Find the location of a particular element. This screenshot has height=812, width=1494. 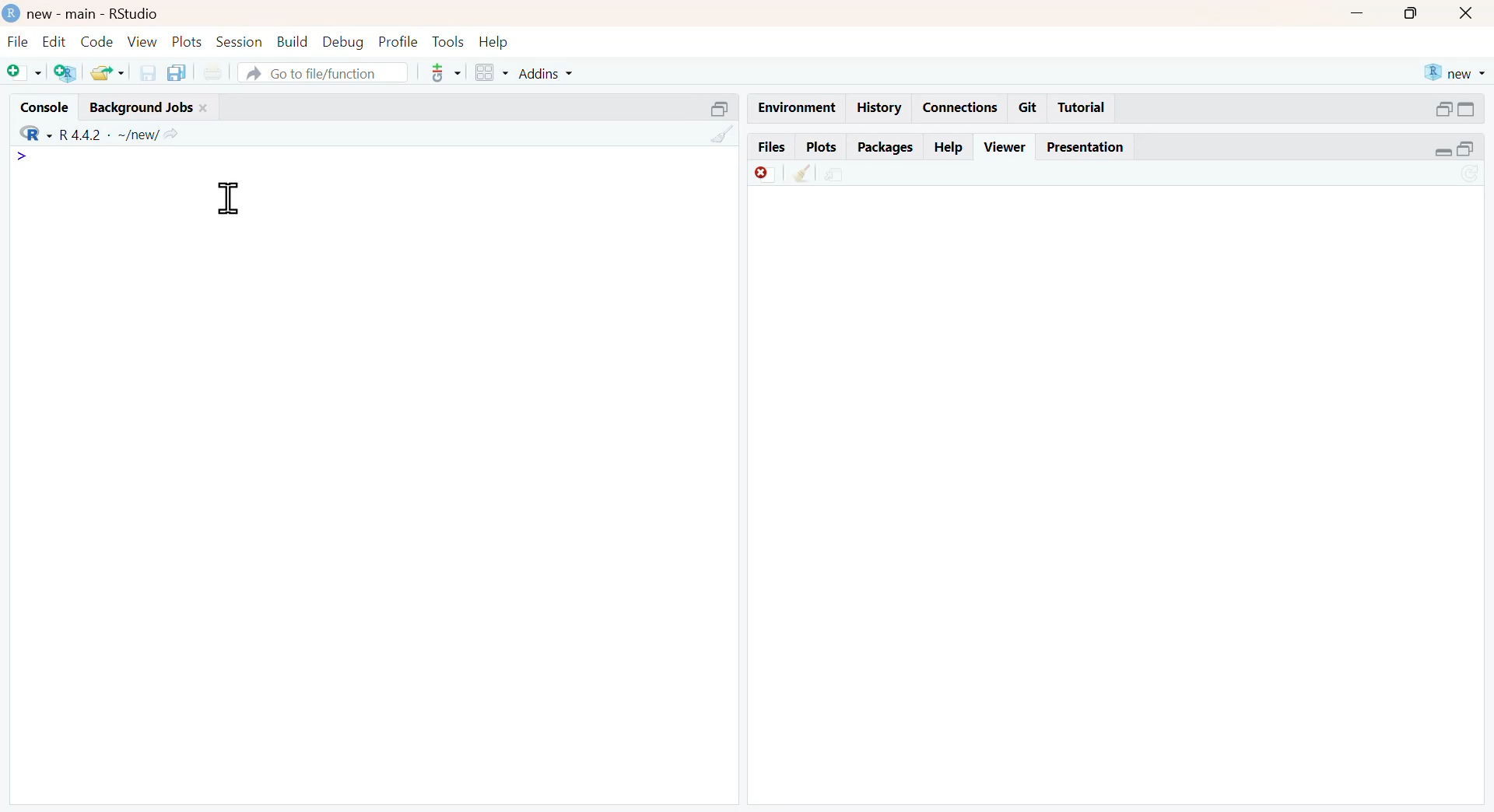

add R file is located at coordinates (67, 73).